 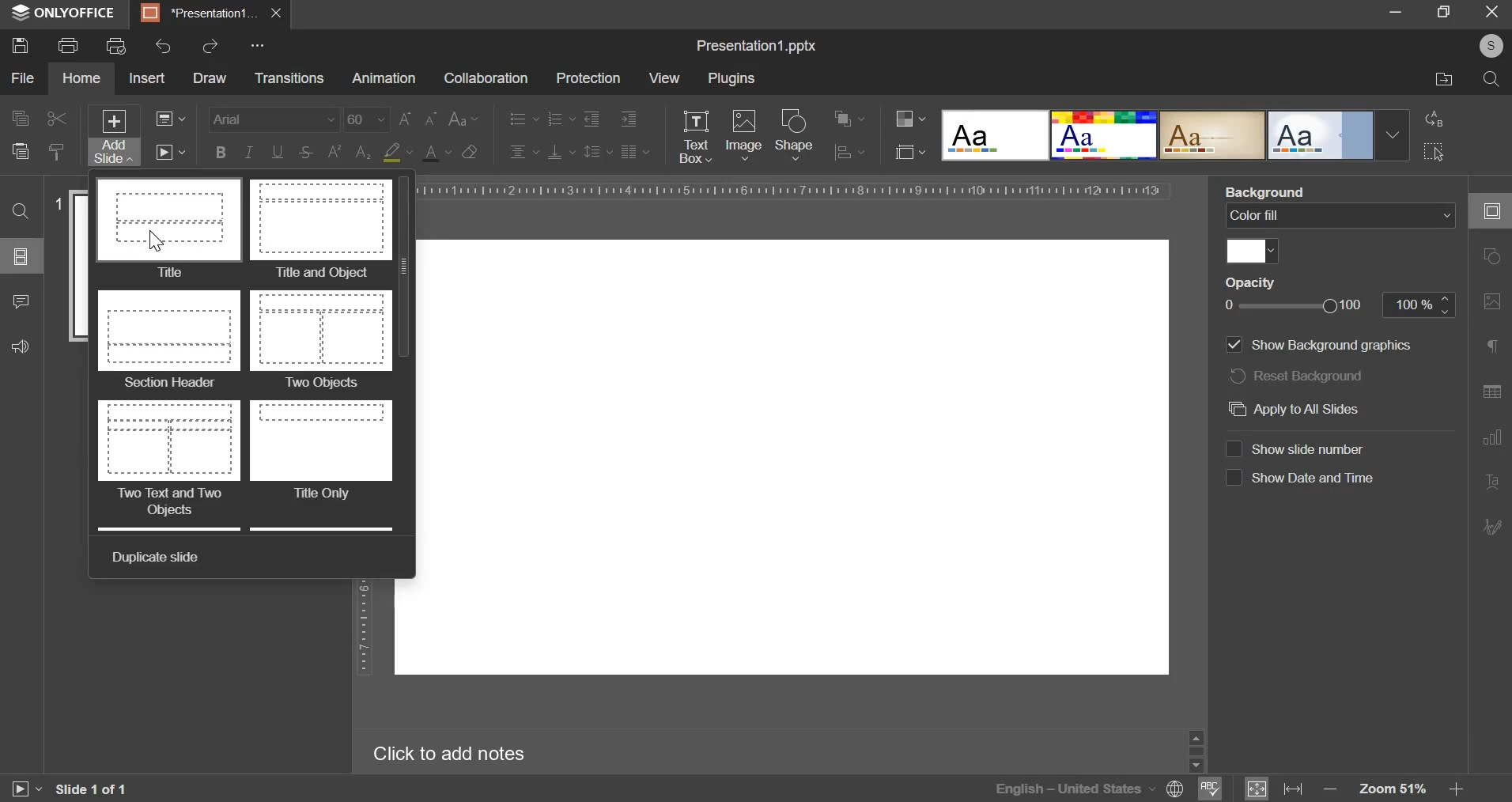 I want to click on opacity bar, so click(x=1294, y=307).